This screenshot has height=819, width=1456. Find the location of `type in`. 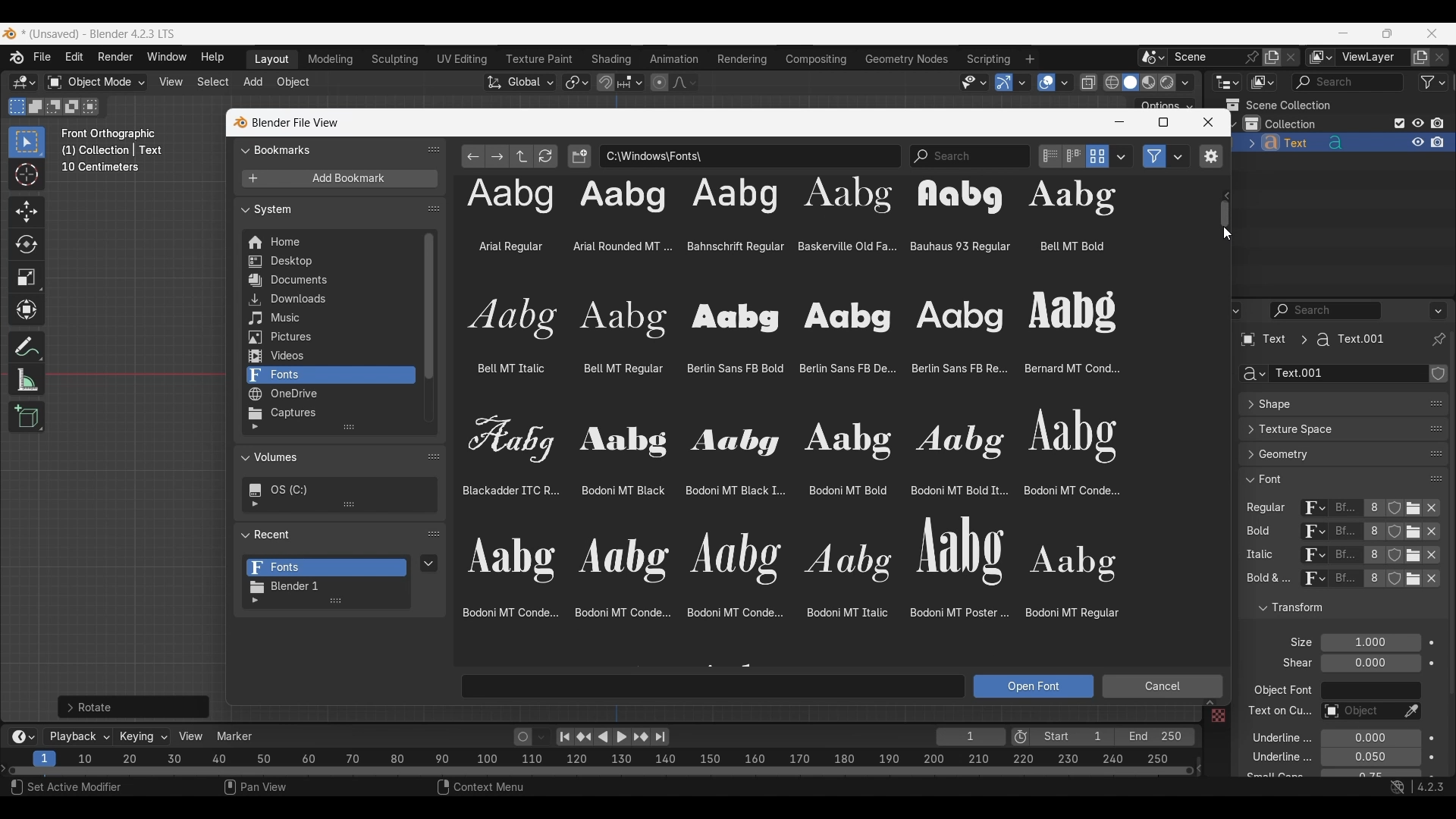

type in is located at coordinates (714, 686).